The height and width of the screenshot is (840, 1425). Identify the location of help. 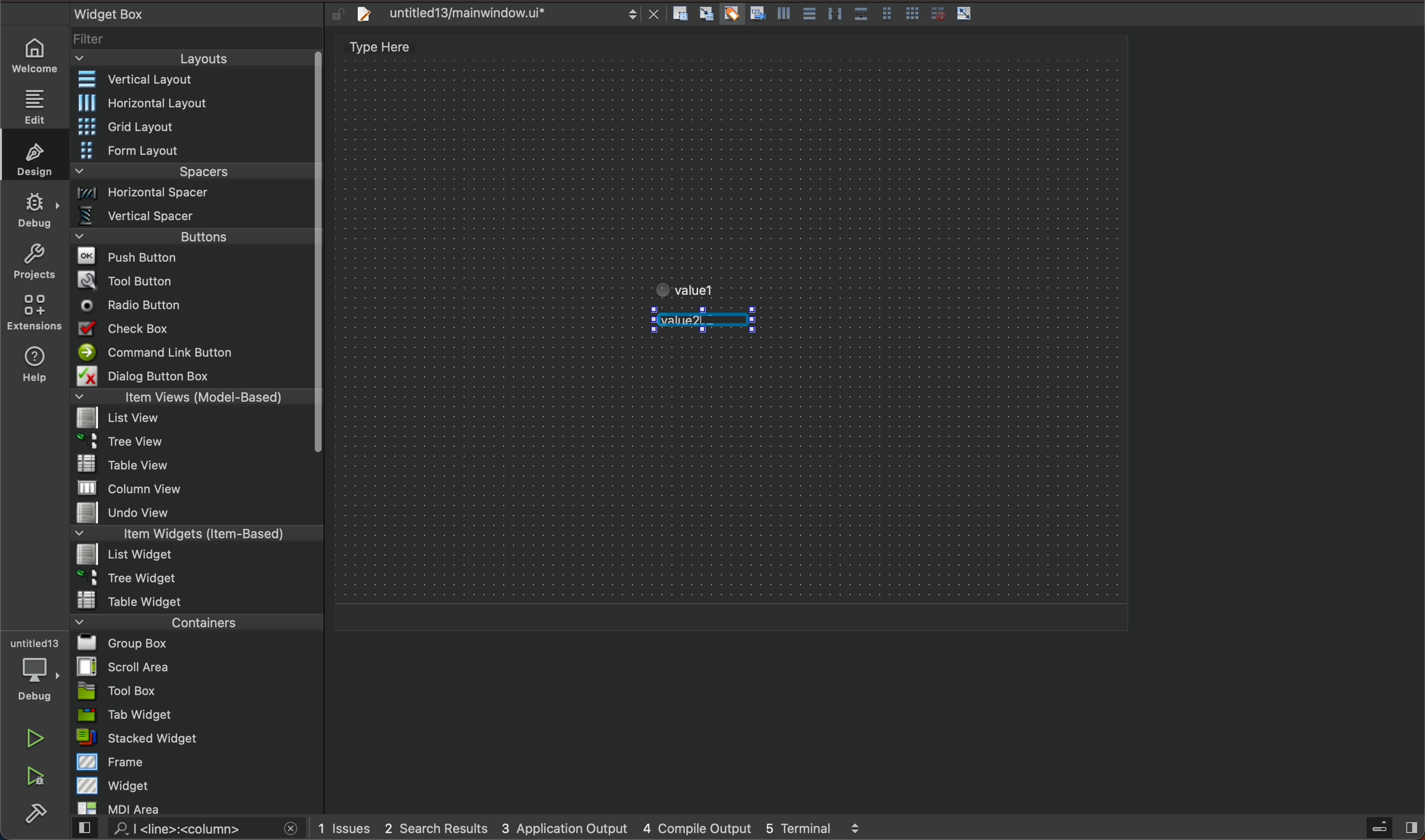
(32, 367).